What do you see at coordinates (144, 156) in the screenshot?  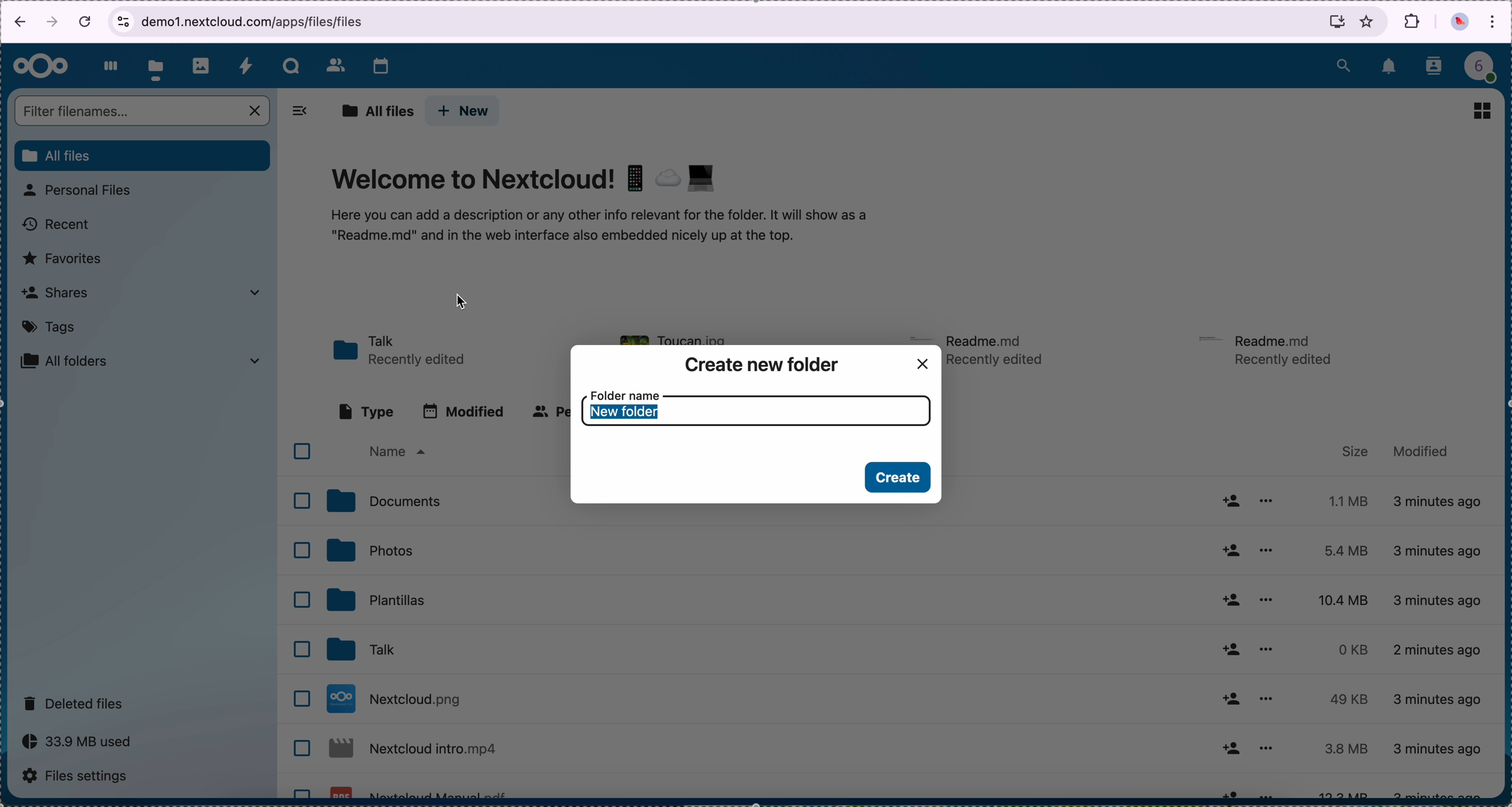 I see `all files button` at bounding box center [144, 156].